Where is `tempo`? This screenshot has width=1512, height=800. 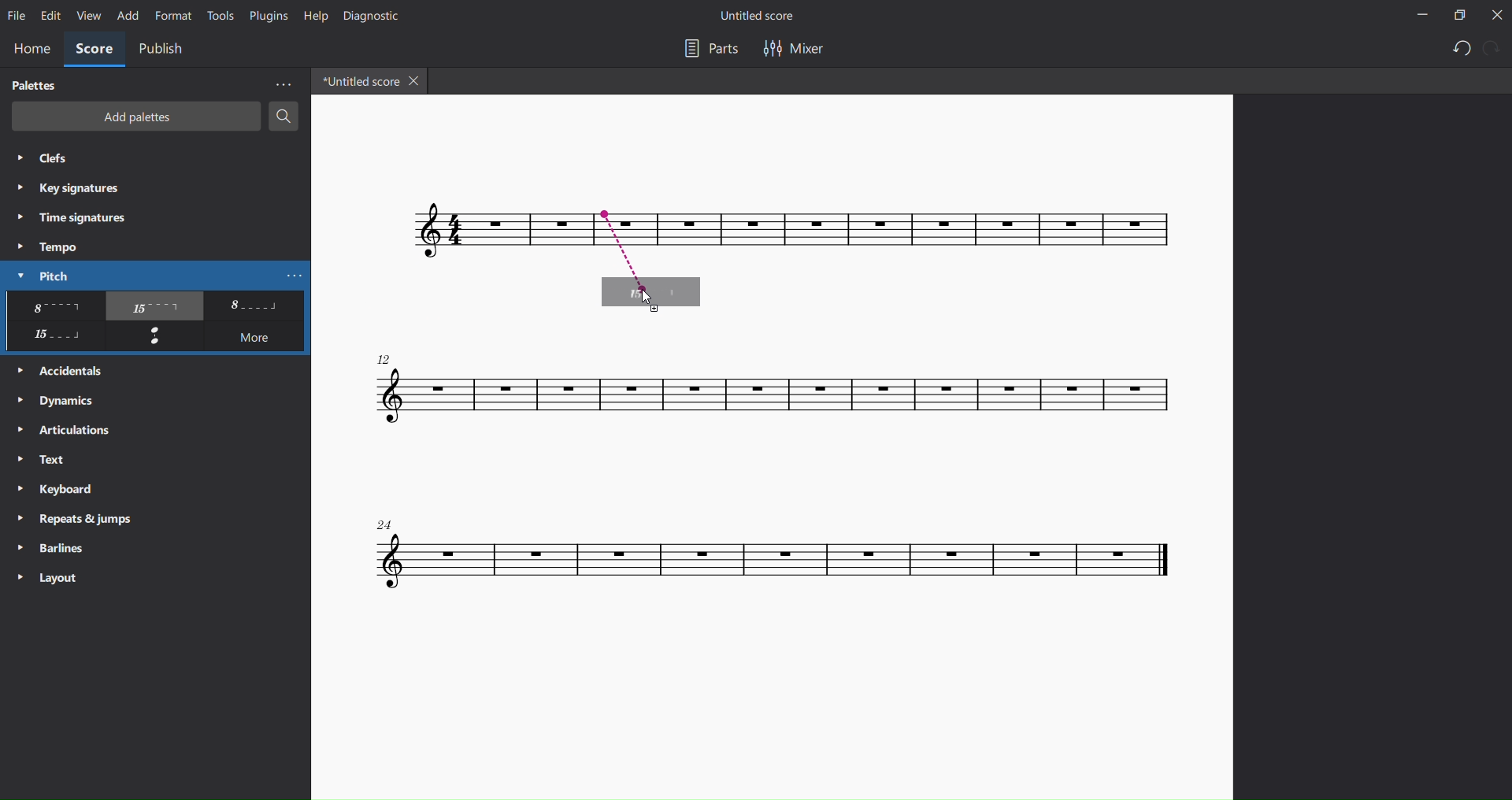
tempo is located at coordinates (50, 246).